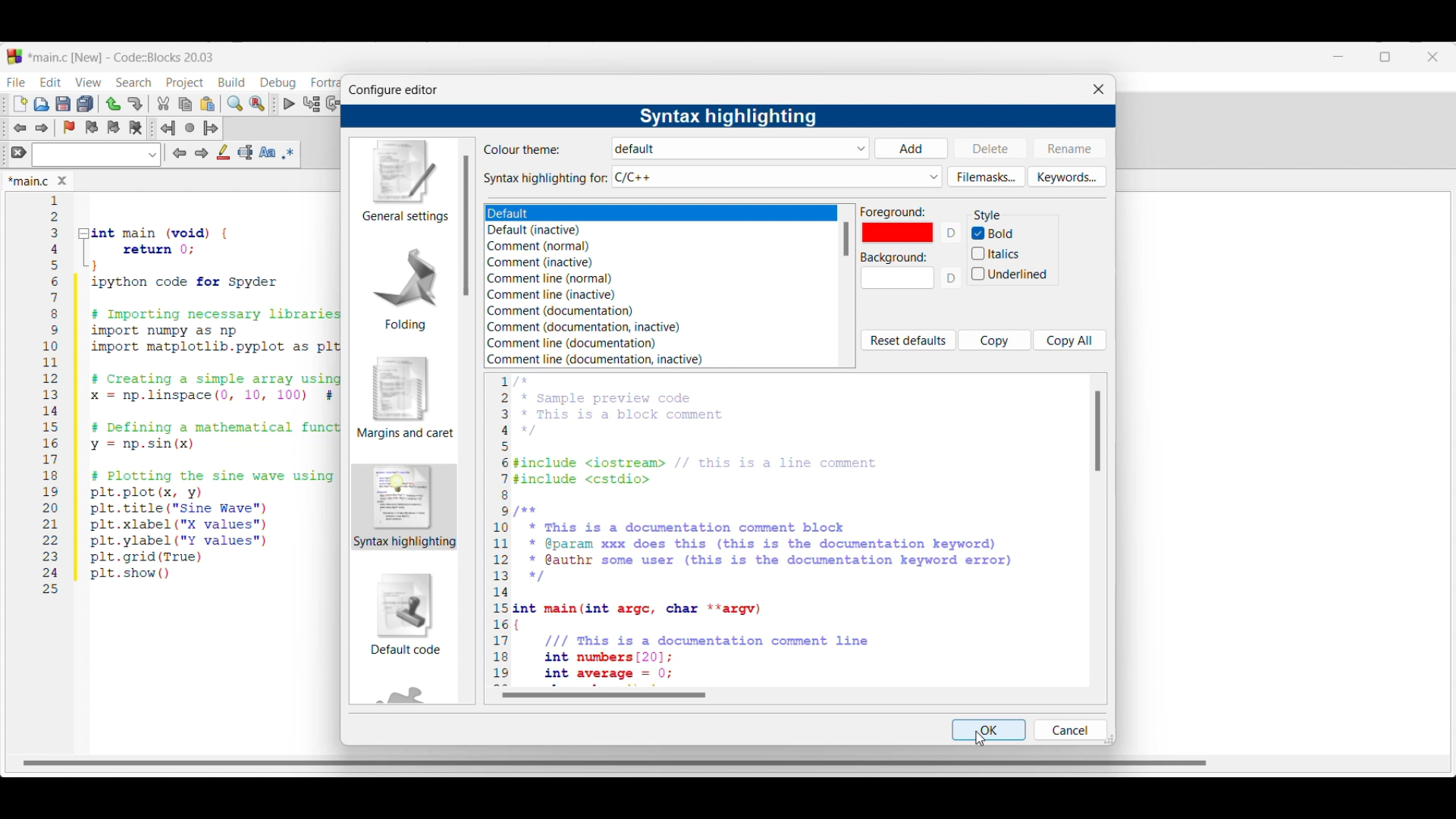 This screenshot has width=1456, height=819. Describe the element at coordinates (124, 57) in the screenshot. I see `Project name, software name and version` at that location.